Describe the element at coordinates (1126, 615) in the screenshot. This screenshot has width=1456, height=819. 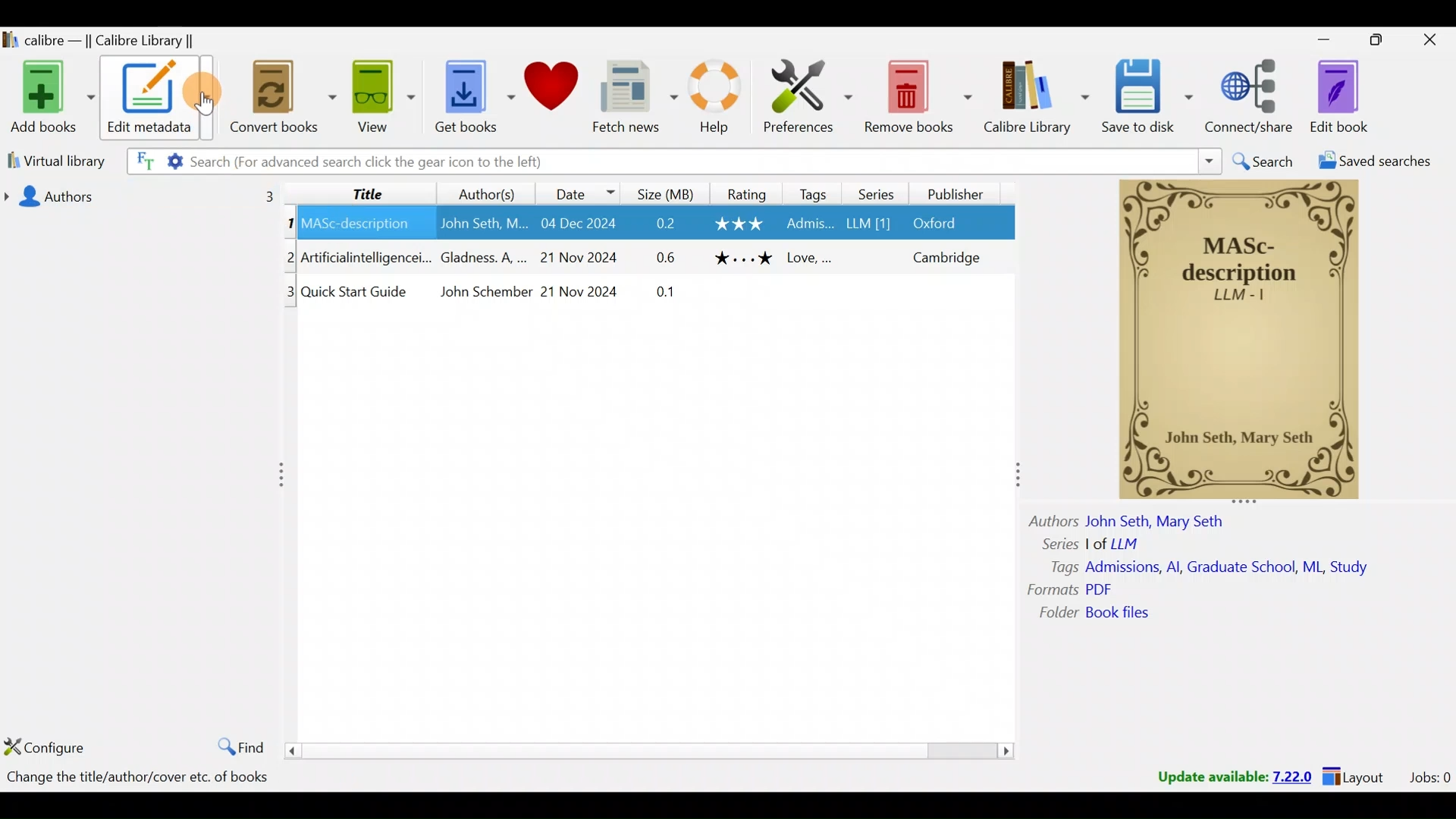
I see `` at that location.